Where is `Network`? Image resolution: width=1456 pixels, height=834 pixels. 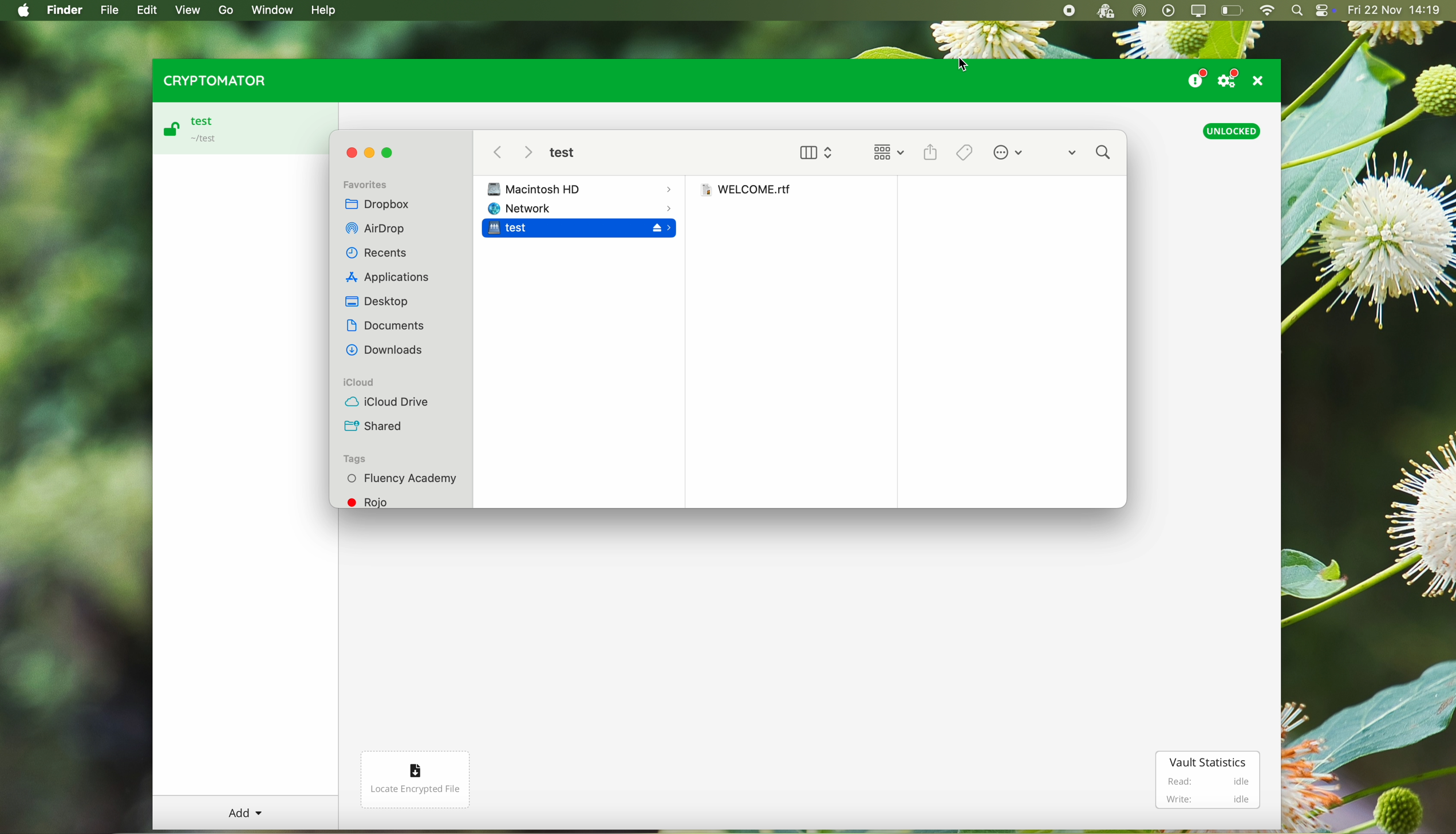
Network is located at coordinates (579, 208).